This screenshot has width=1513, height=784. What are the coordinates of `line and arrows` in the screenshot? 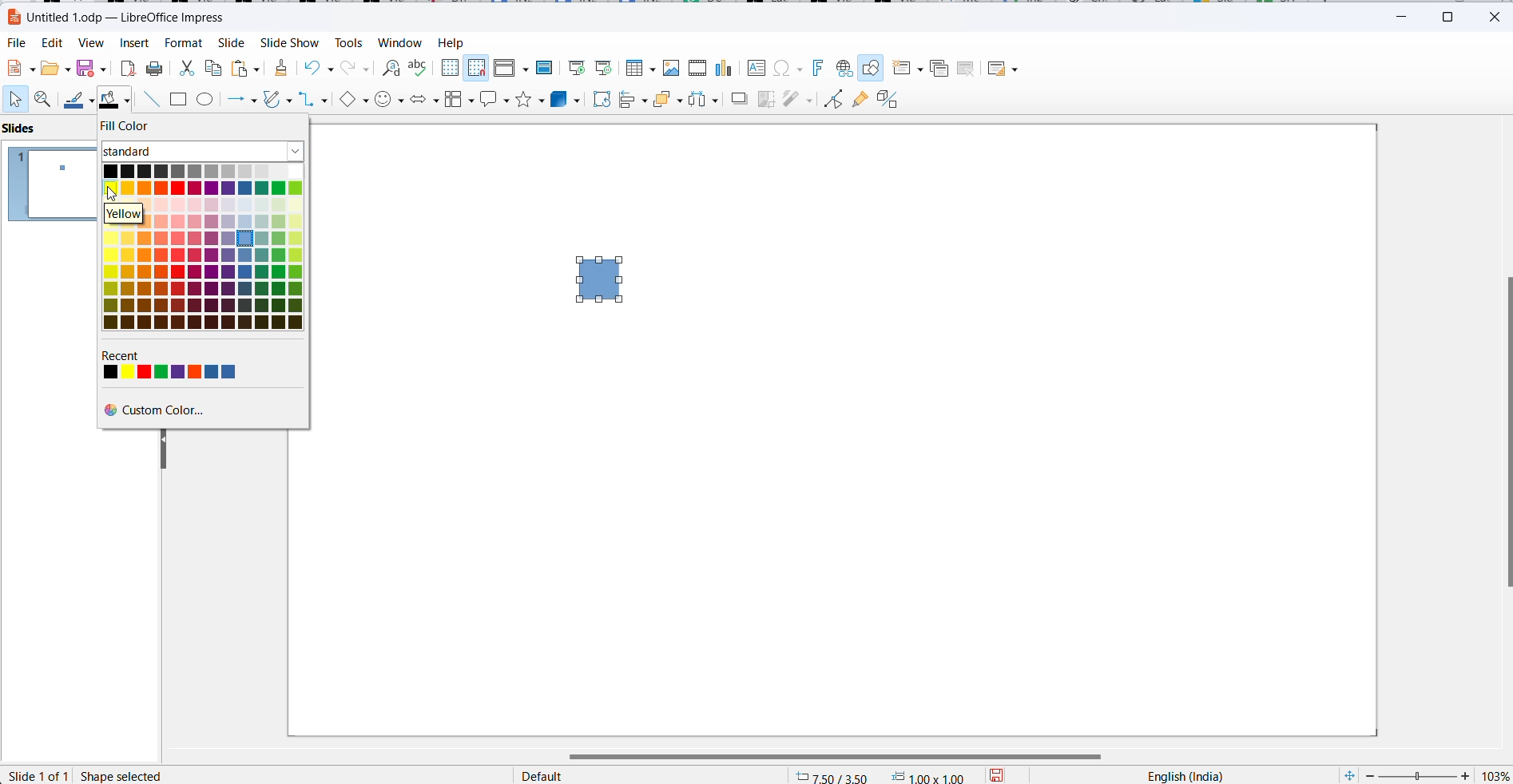 It's located at (244, 101).